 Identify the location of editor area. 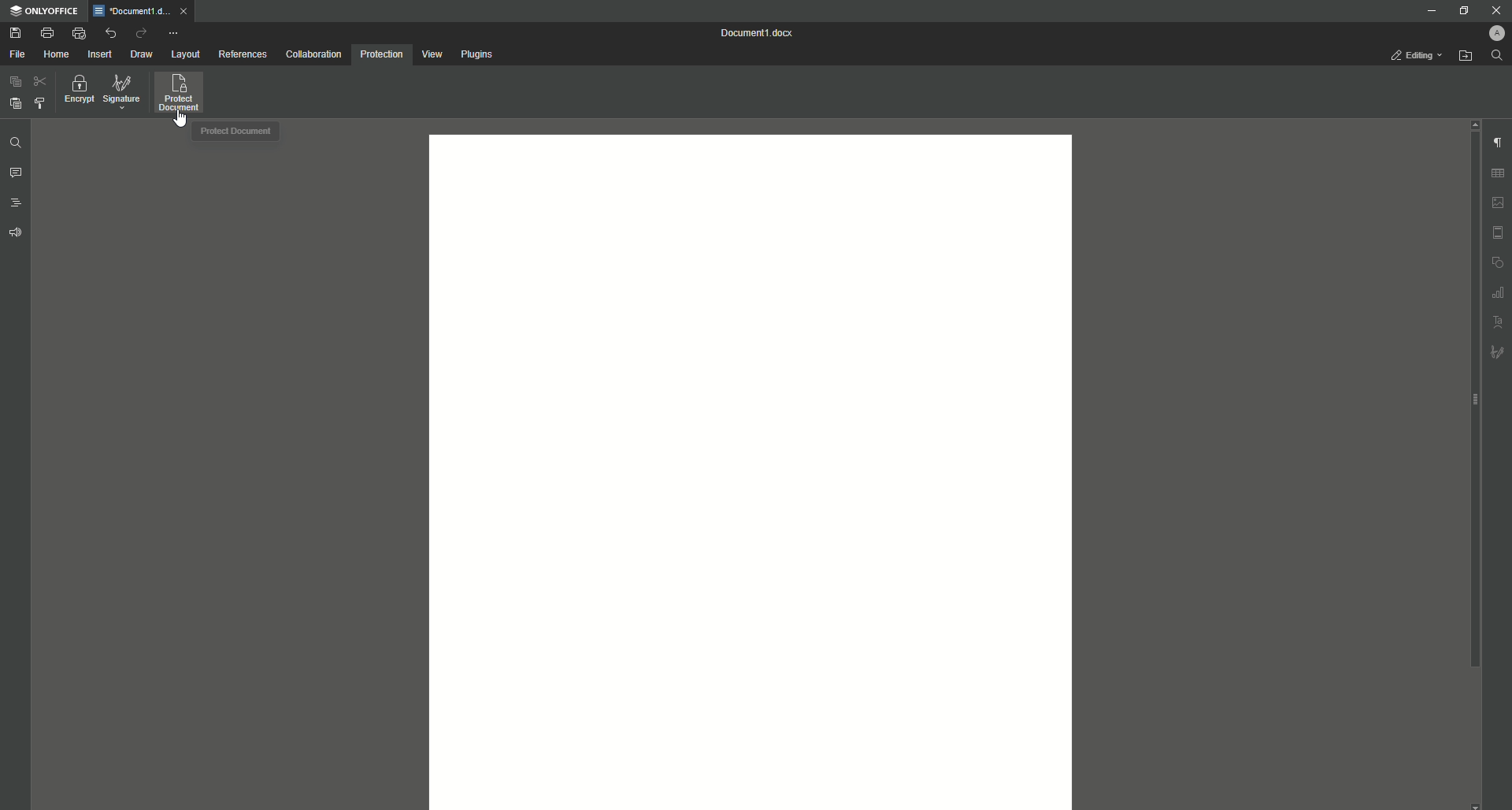
(753, 354).